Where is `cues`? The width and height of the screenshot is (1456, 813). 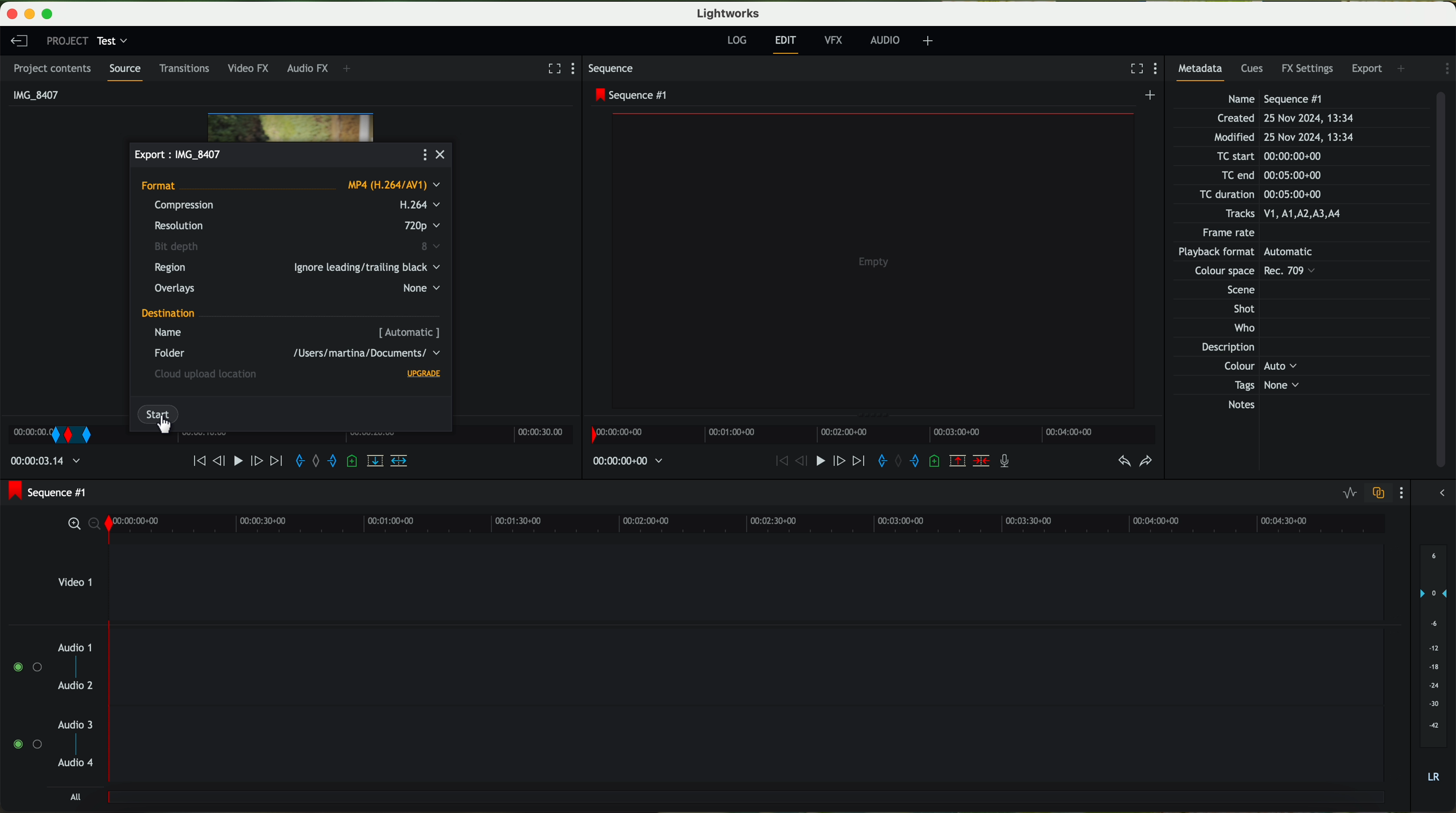 cues is located at coordinates (1254, 70).